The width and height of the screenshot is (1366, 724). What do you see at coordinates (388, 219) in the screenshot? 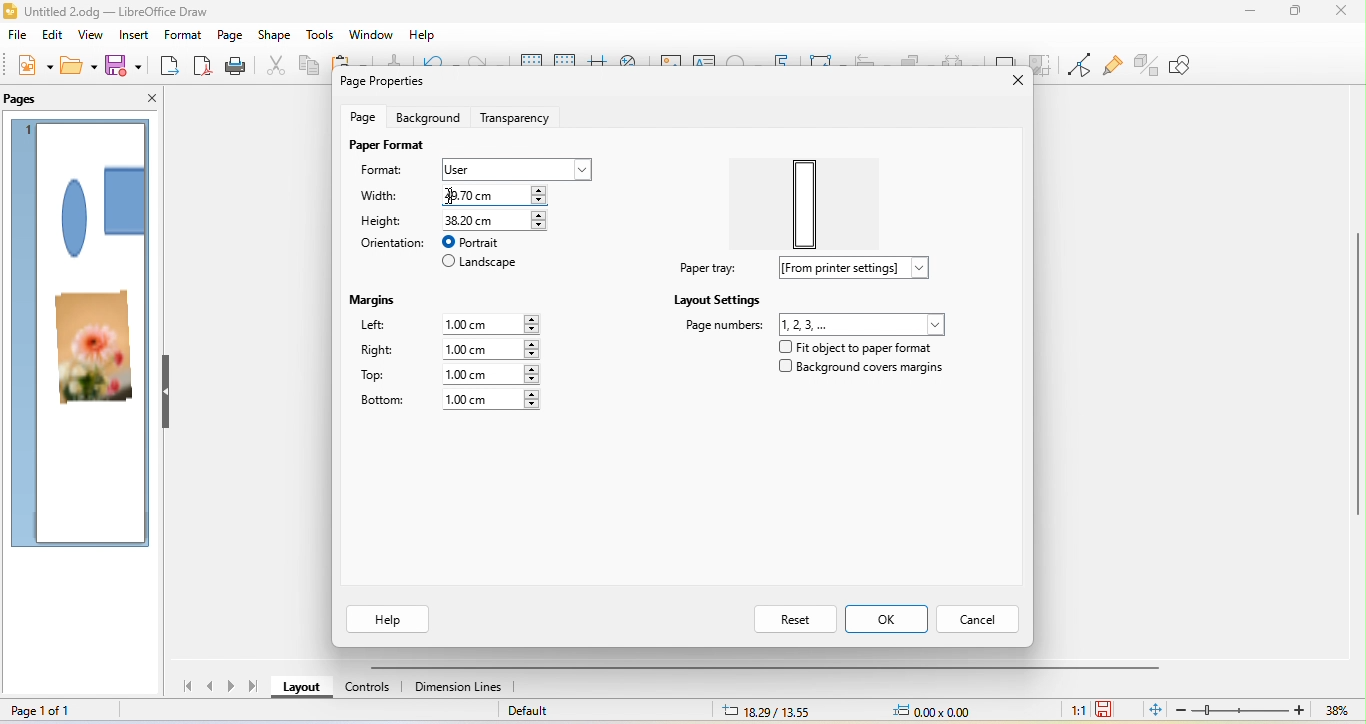
I see `height` at bounding box center [388, 219].